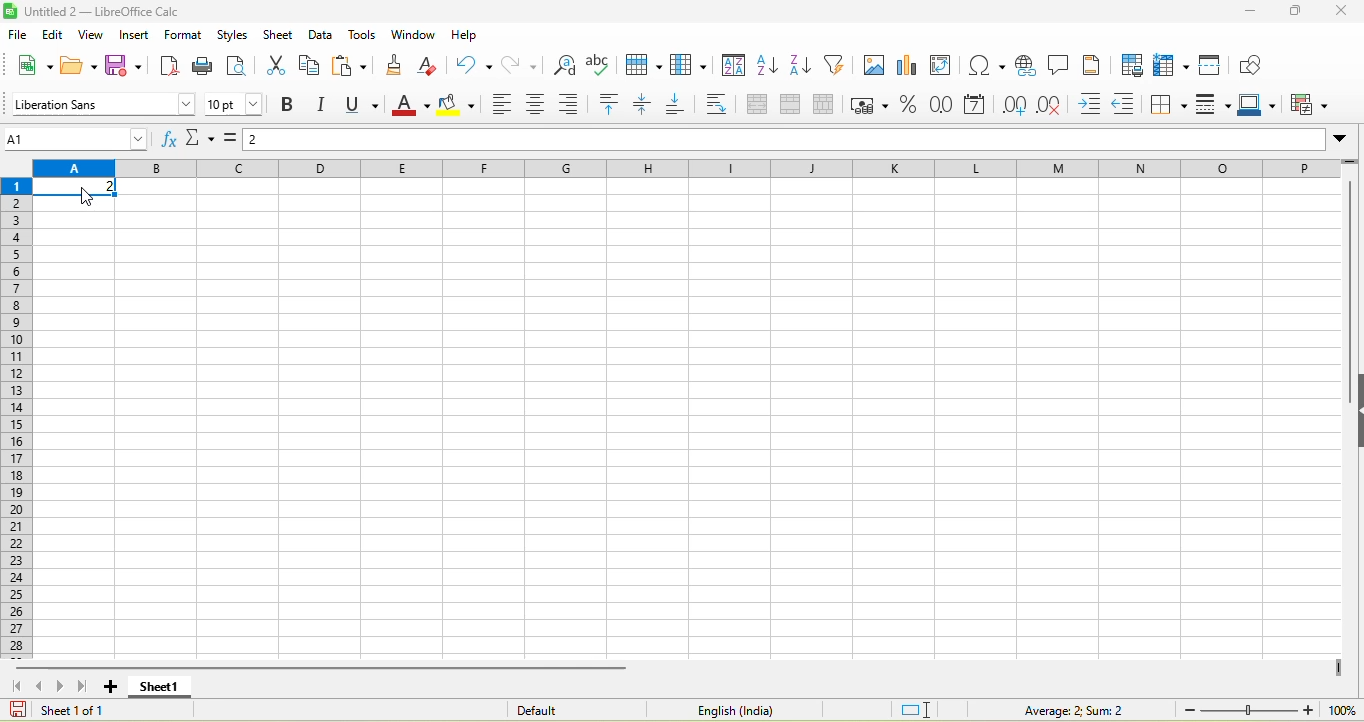 Image resolution: width=1364 pixels, height=722 pixels. What do you see at coordinates (1130, 106) in the screenshot?
I see `decrease indent` at bounding box center [1130, 106].